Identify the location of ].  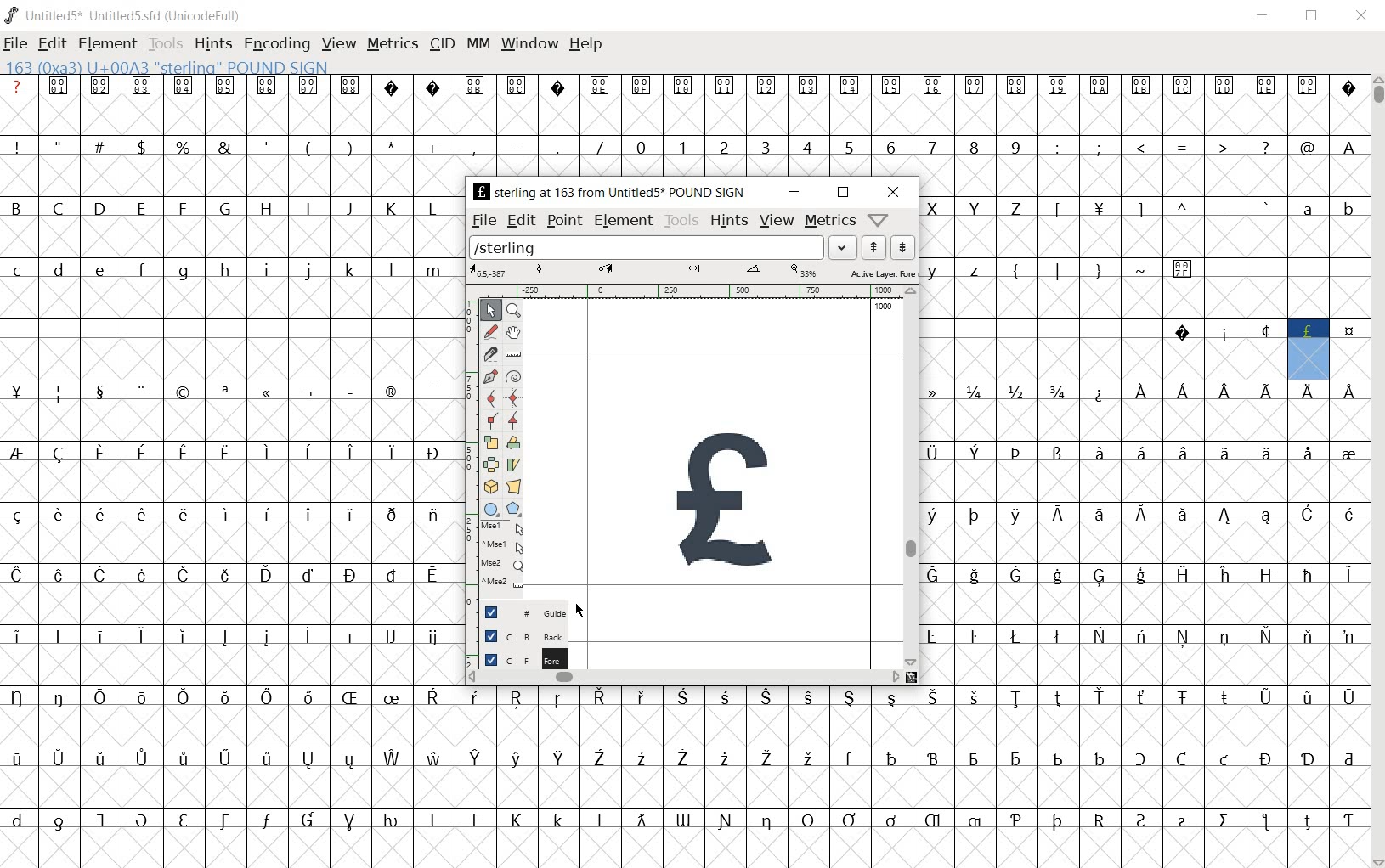
(1141, 208).